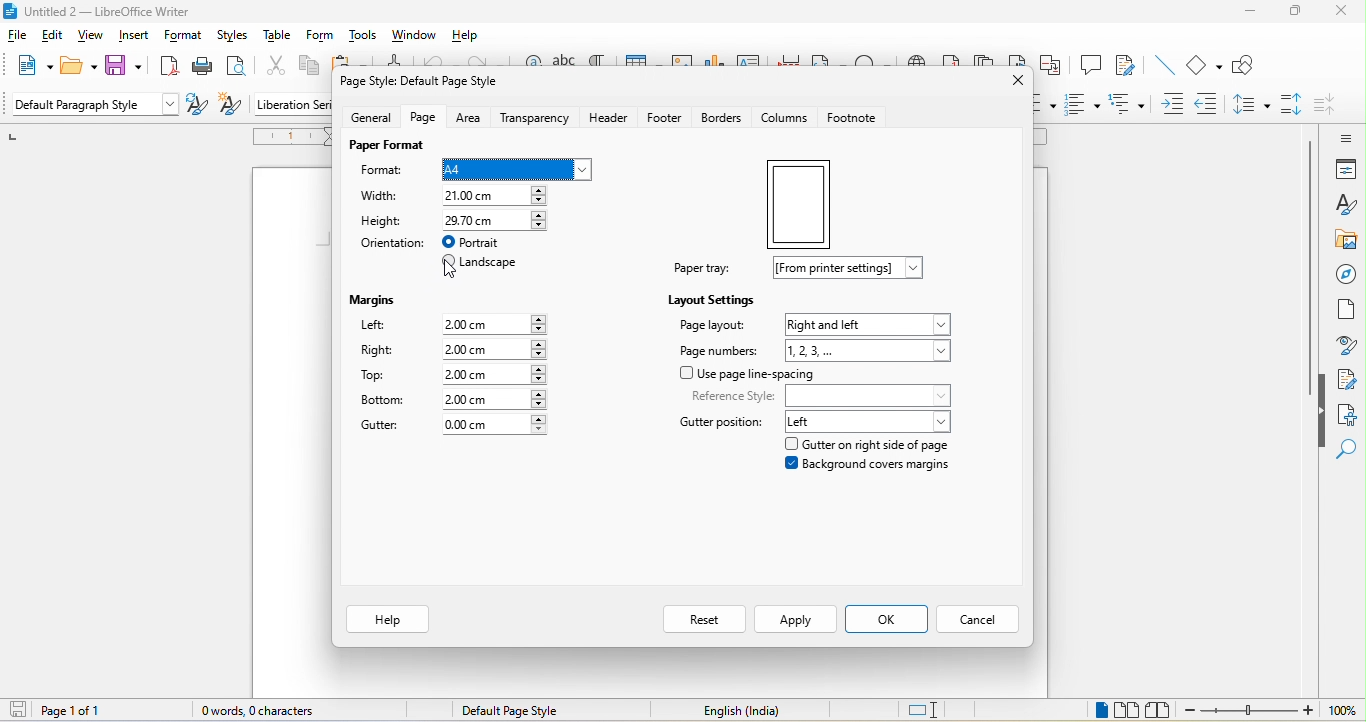  I want to click on borders, so click(726, 119).